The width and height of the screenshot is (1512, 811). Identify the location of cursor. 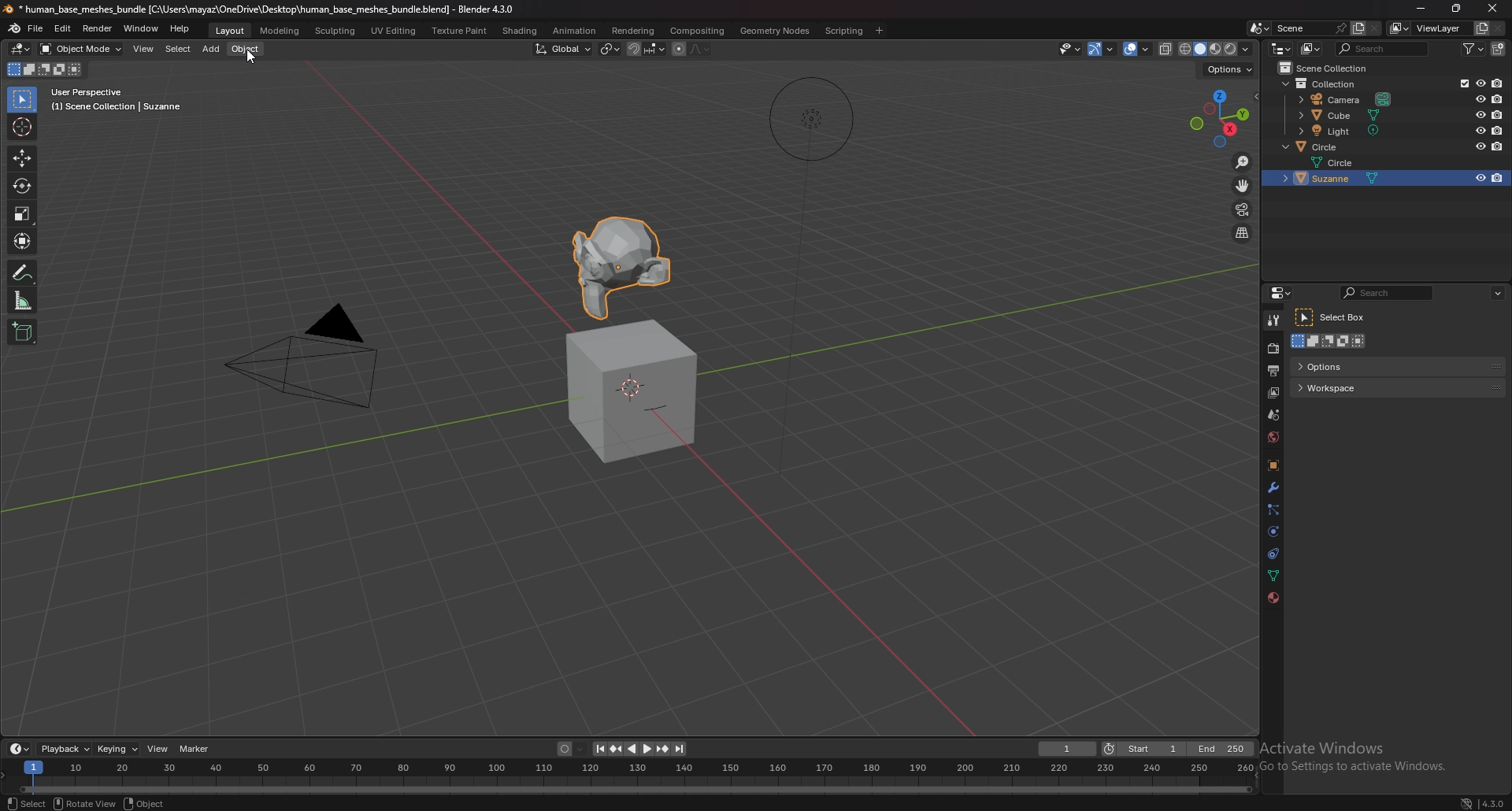
(1497, 7).